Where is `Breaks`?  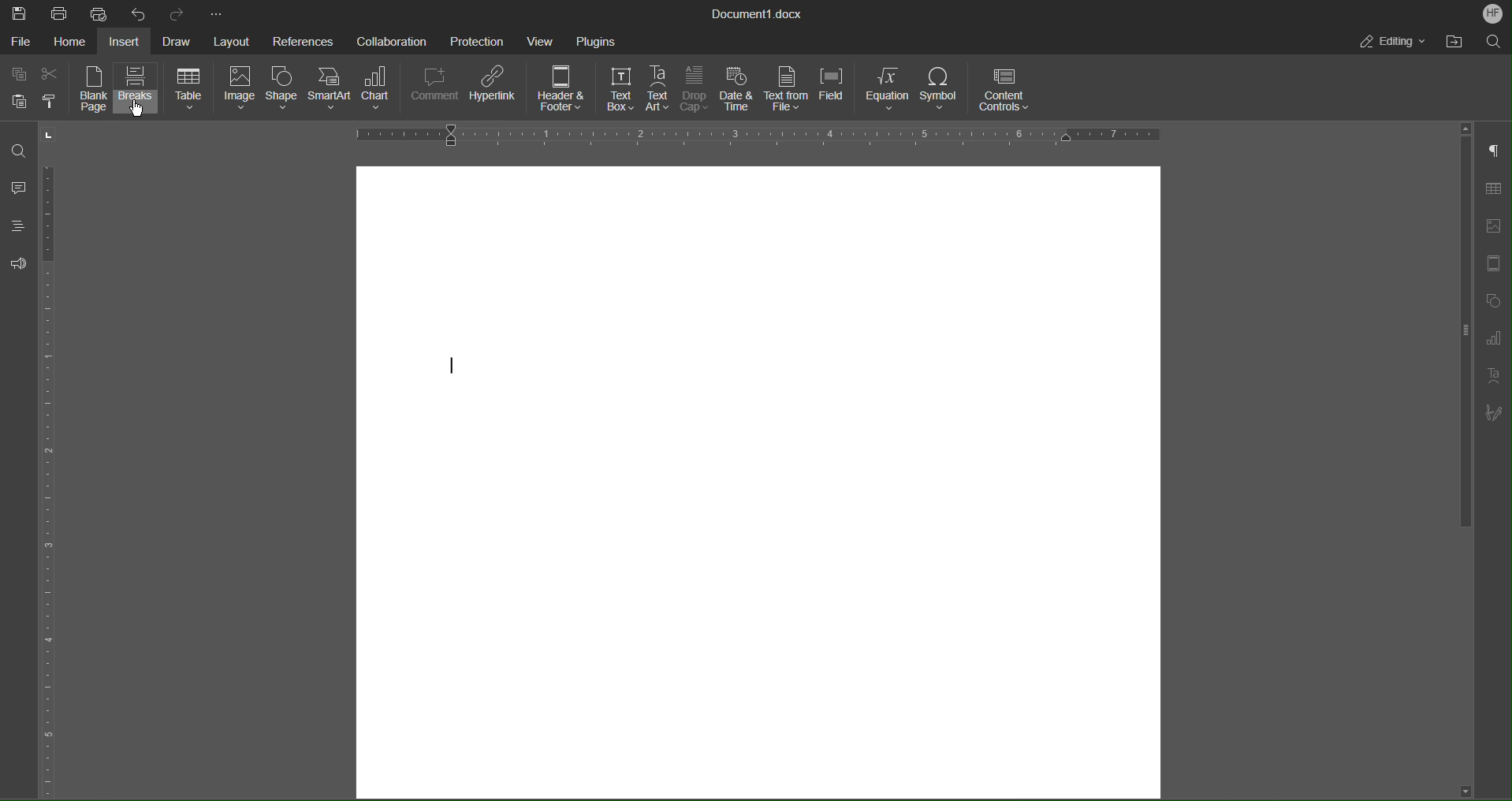
Breaks is located at coordinates (136, 89).